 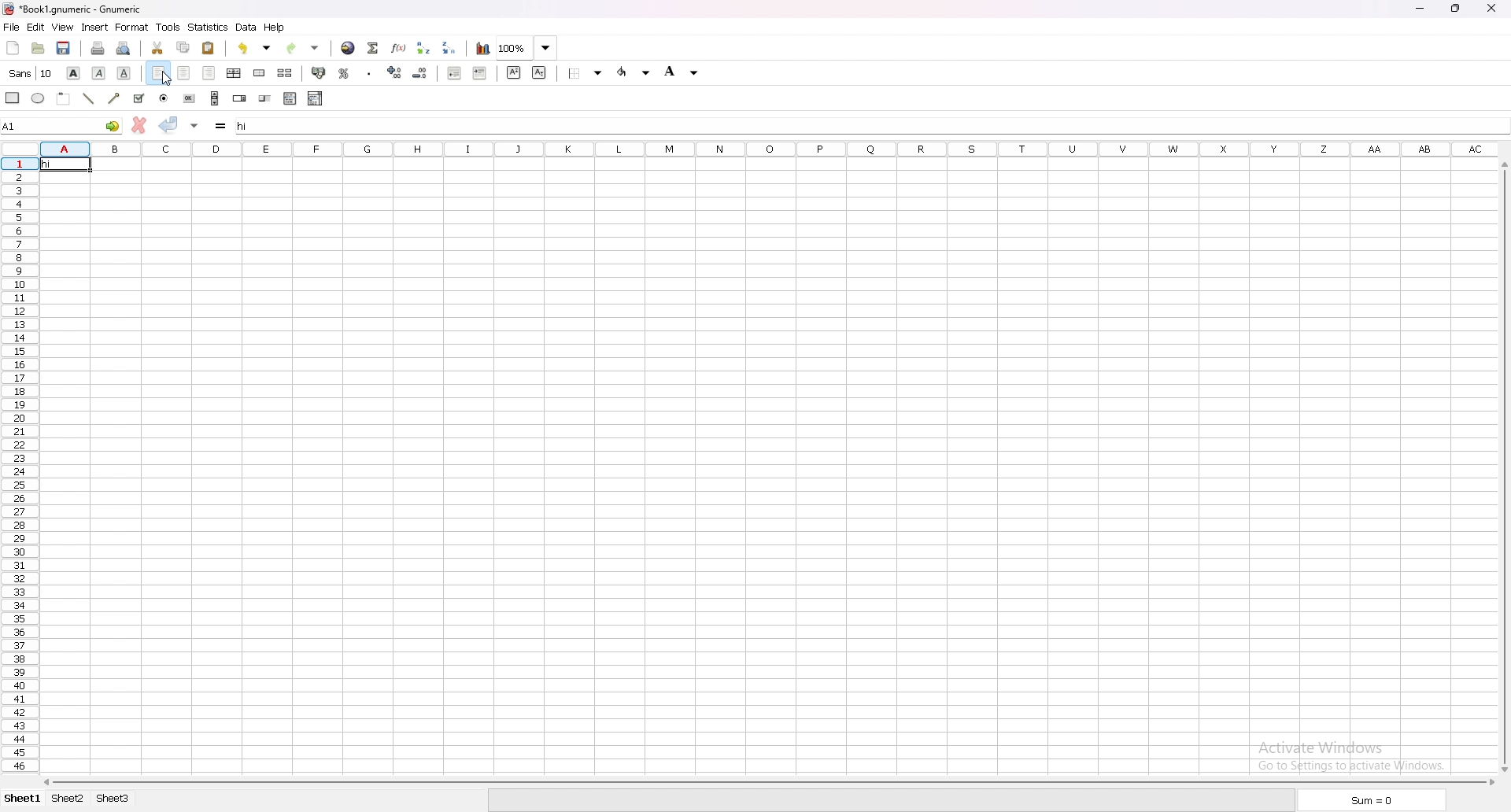 I want to click on summation, so click(x=373, y=47).